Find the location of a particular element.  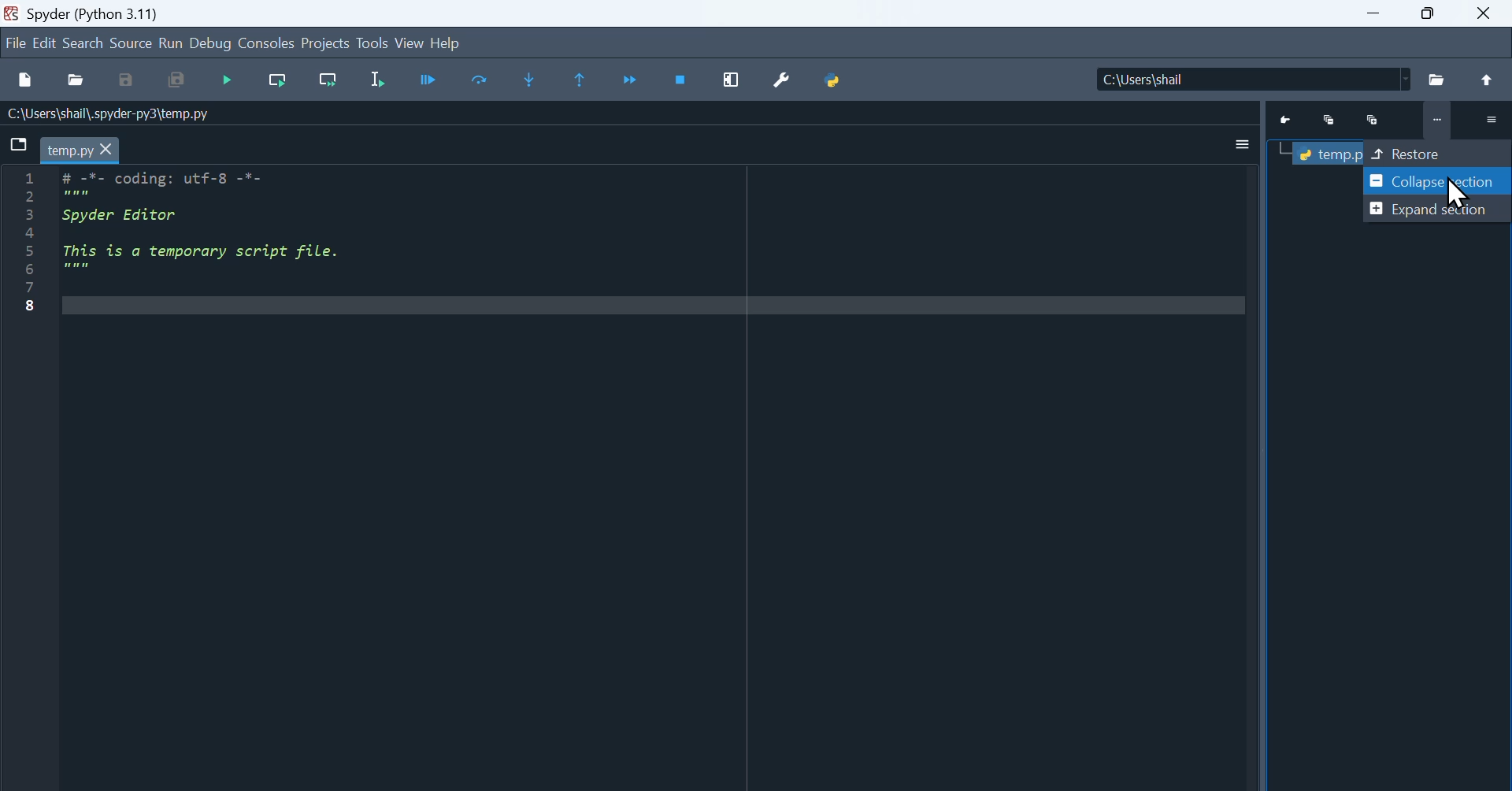

More options is located at coordinates (1488, 119).